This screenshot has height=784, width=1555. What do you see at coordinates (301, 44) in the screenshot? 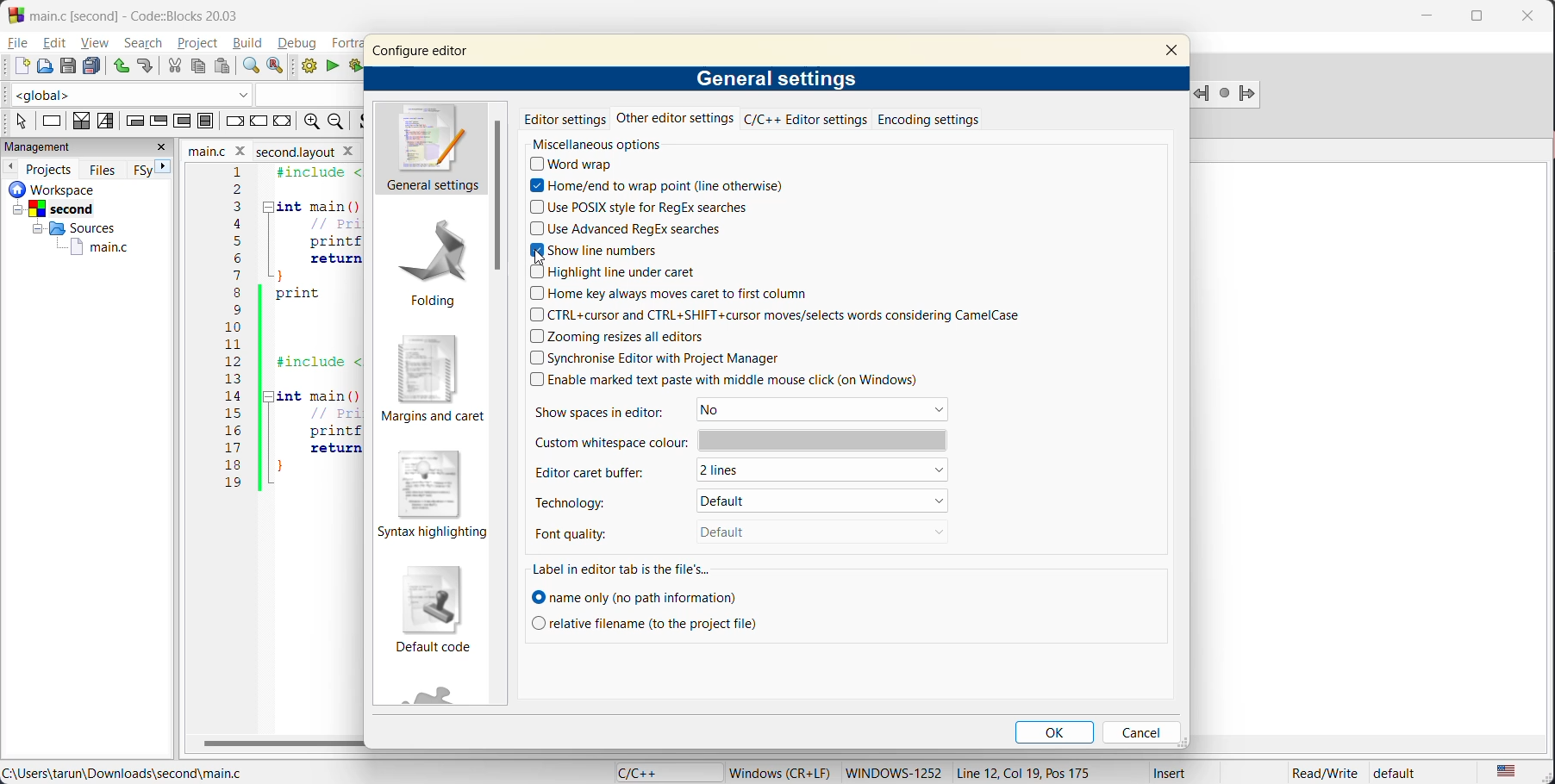
I see `debug` at bounding box center [301, 44].